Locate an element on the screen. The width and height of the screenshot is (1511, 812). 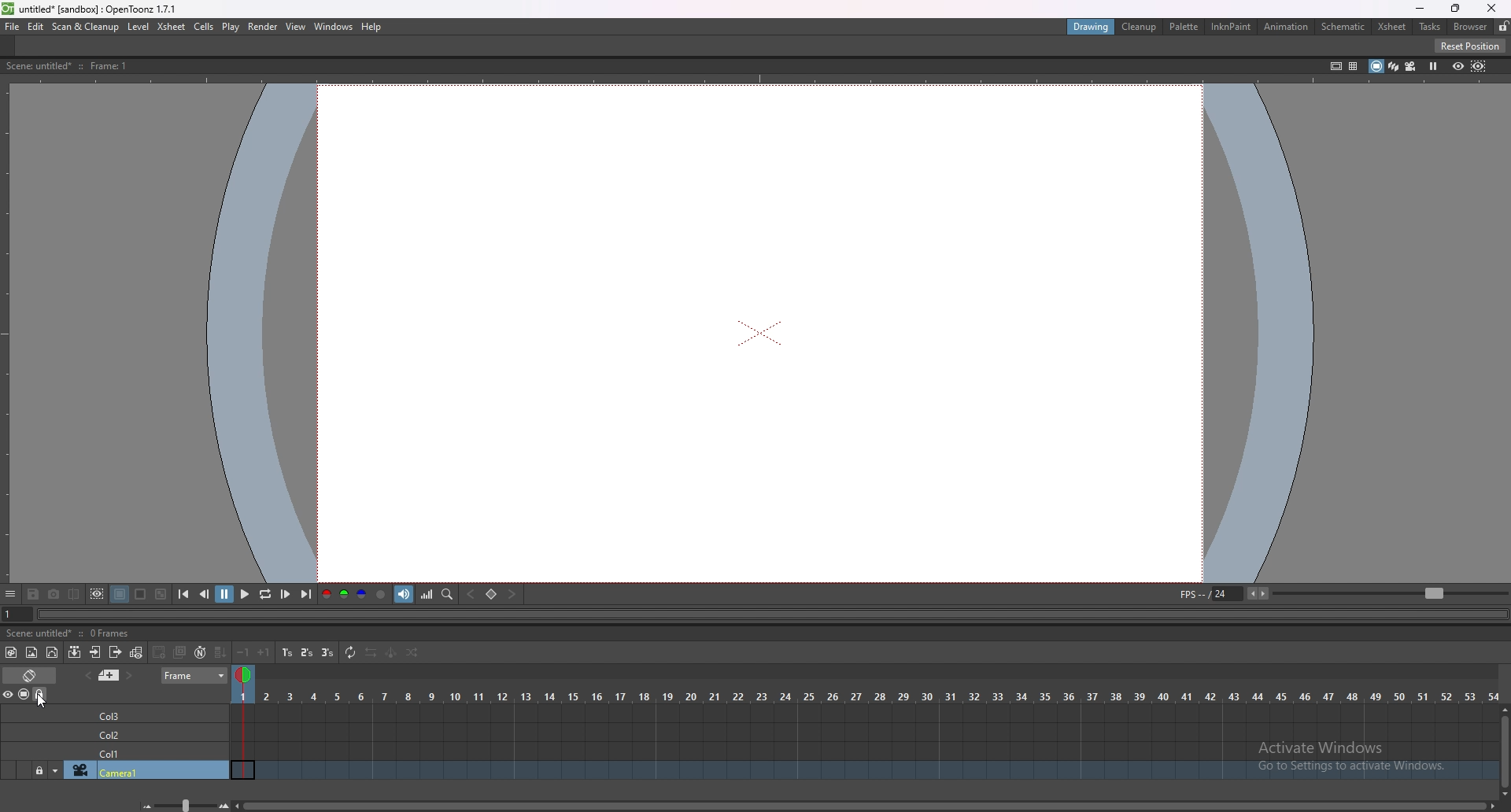
reframe on 1s is located at coordinates (287, 652).